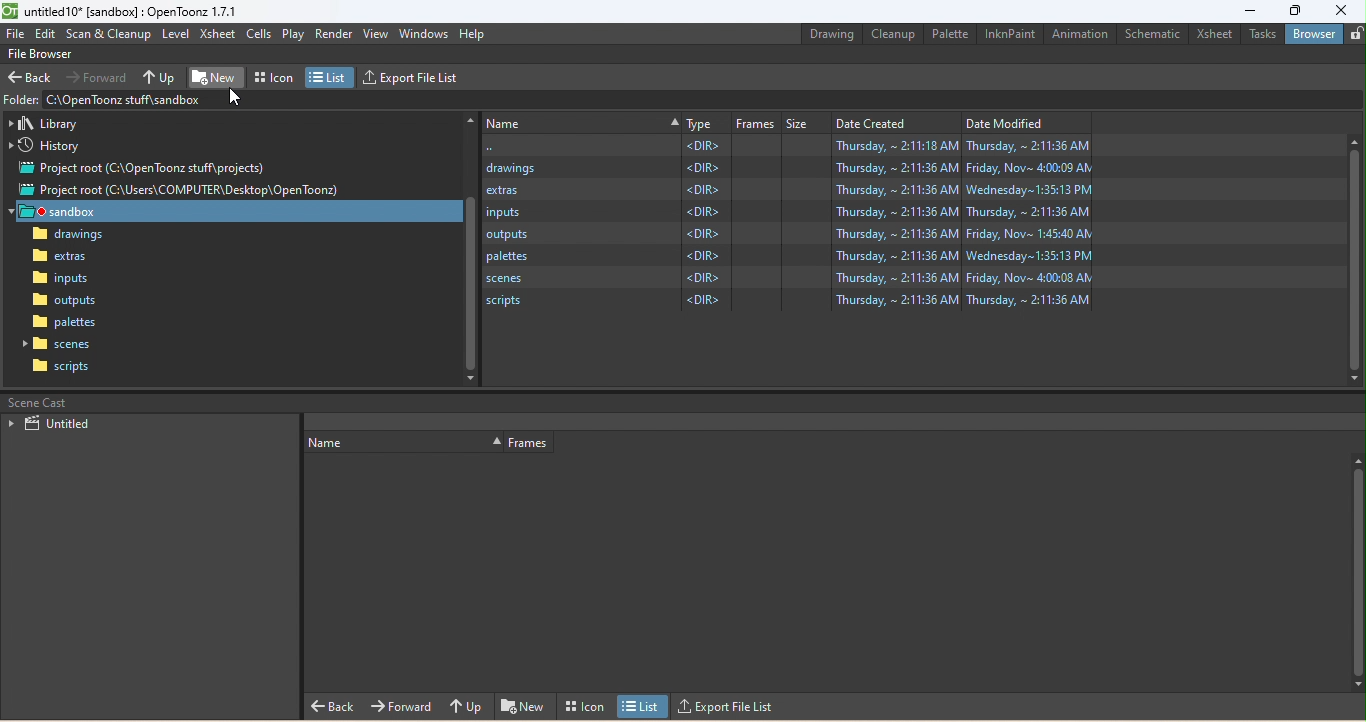 This screenshot has height=722, width=1366. What do you see at coordinates (46, 125) in the screenshot?
I see `Library` at bounding box center [46, 125].